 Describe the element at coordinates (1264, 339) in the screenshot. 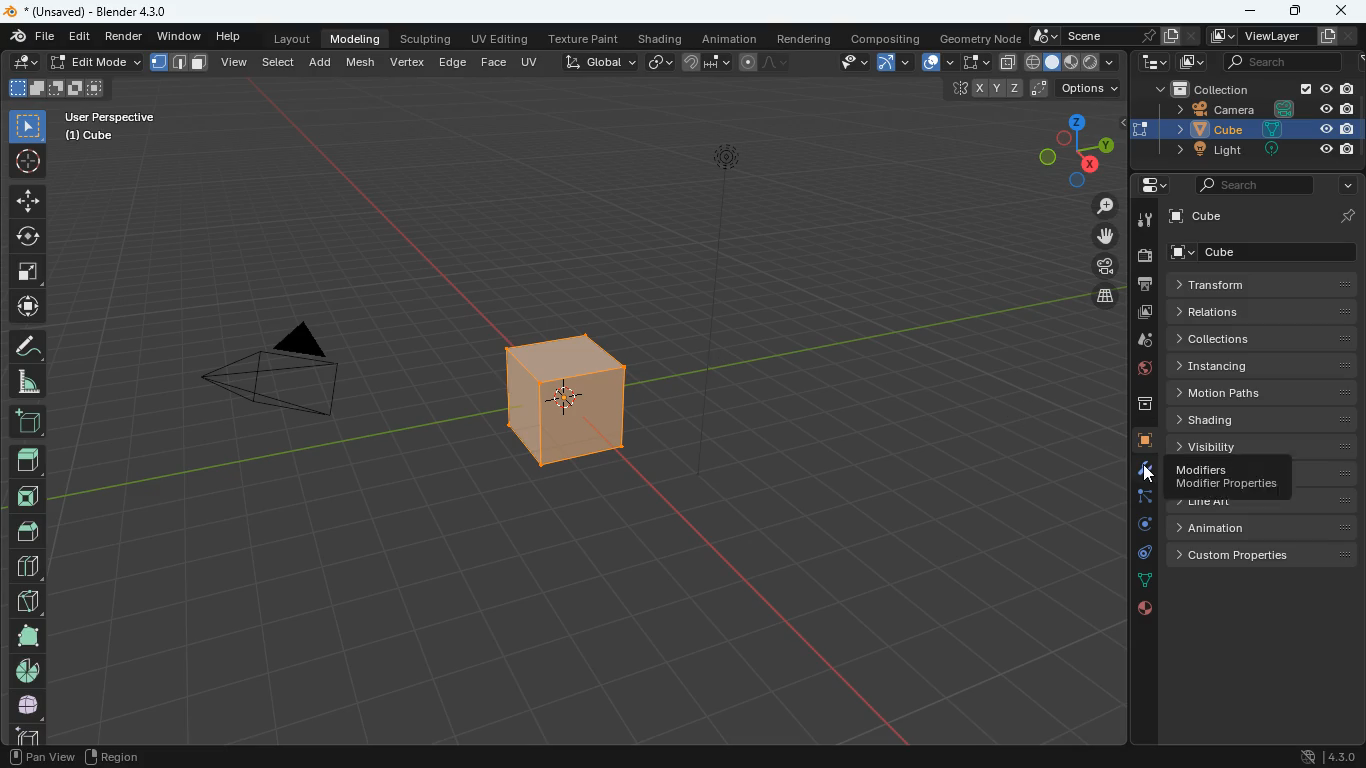

I see `collection` at that location.